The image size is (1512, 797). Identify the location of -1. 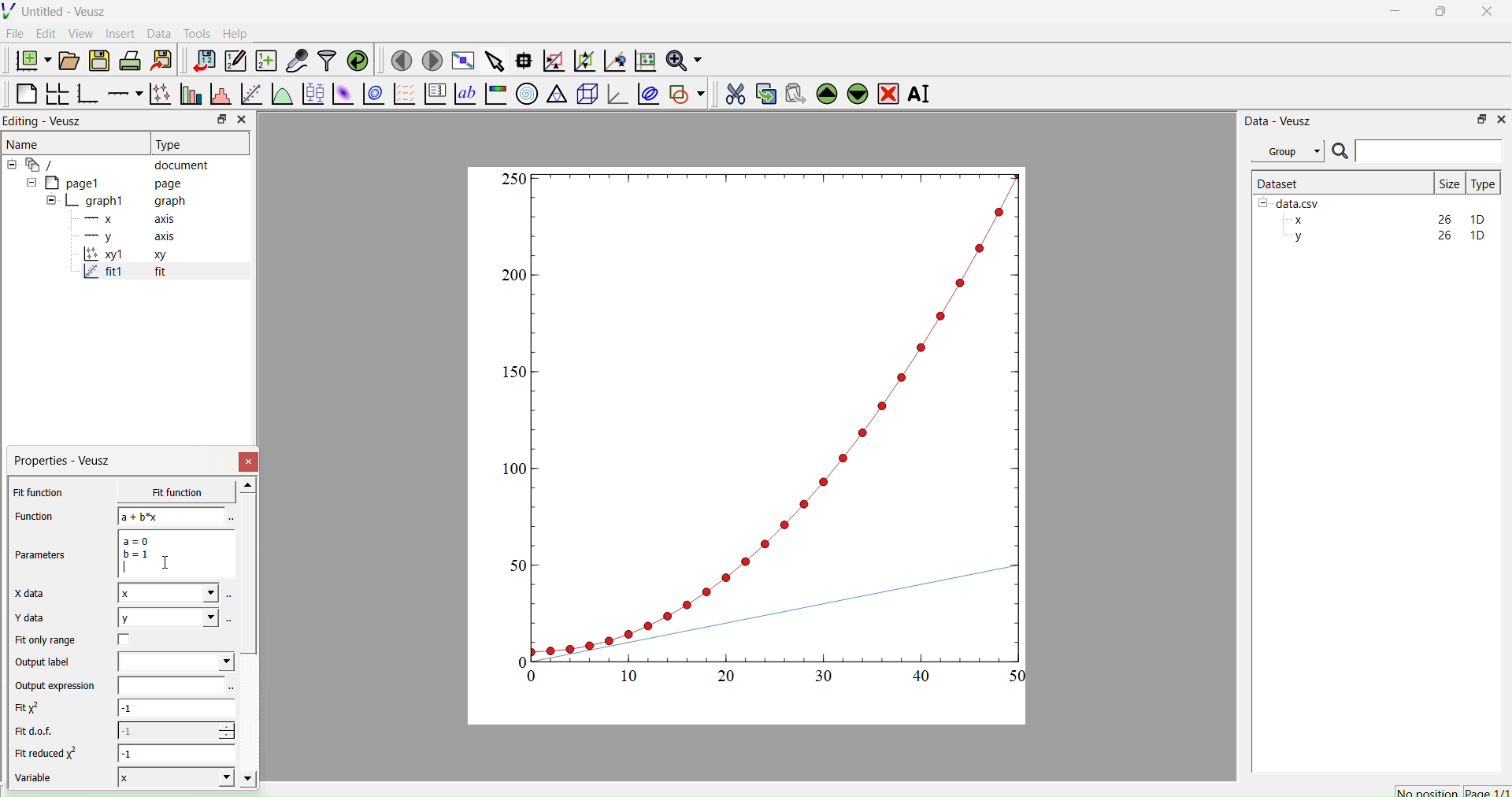
(176, 730).